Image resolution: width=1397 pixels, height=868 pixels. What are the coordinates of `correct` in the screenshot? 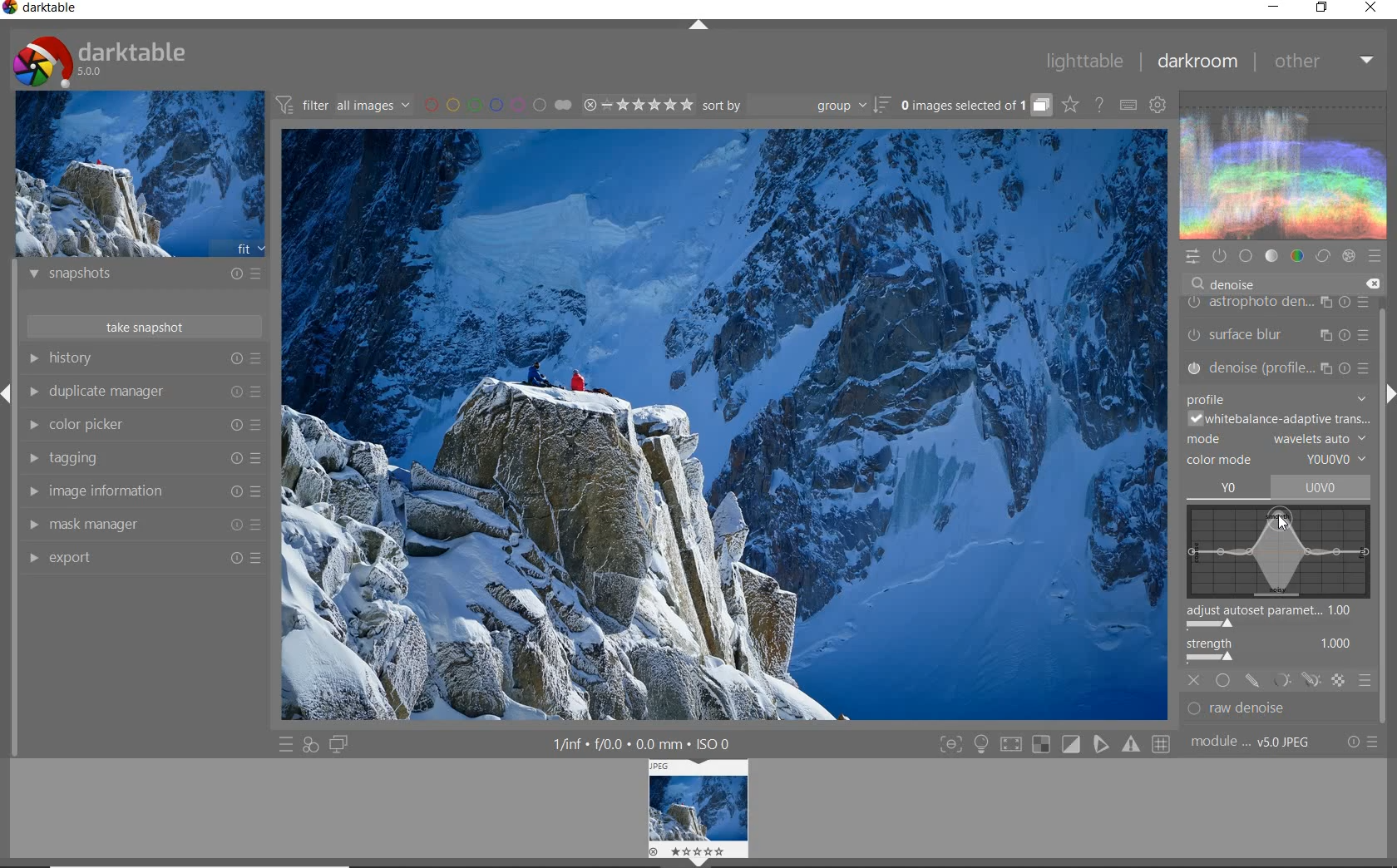 It's located at (1322, 255).